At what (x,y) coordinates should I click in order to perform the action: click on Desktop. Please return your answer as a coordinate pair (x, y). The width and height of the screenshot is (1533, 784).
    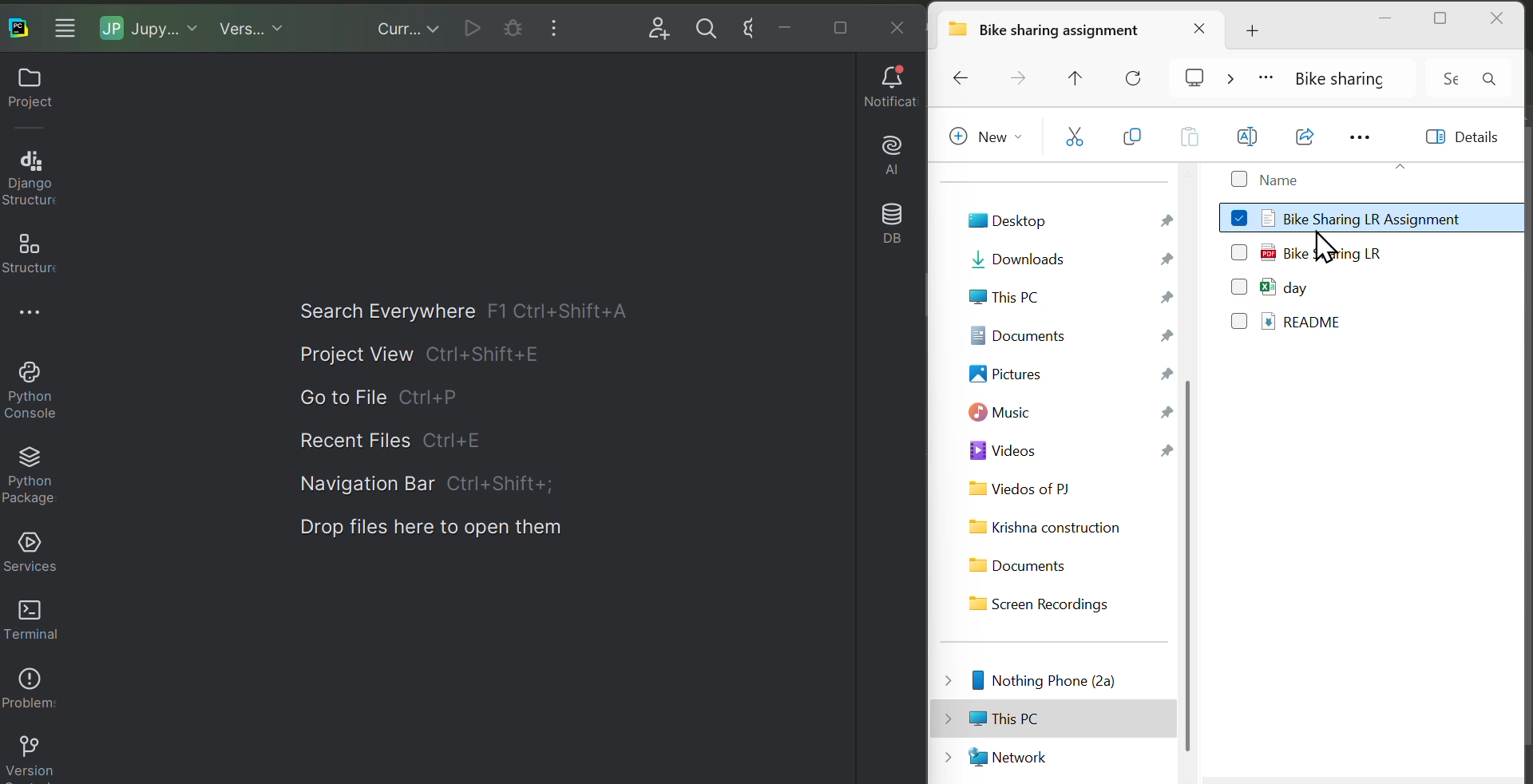
    Looking at the image, I should click on (1067, 220).